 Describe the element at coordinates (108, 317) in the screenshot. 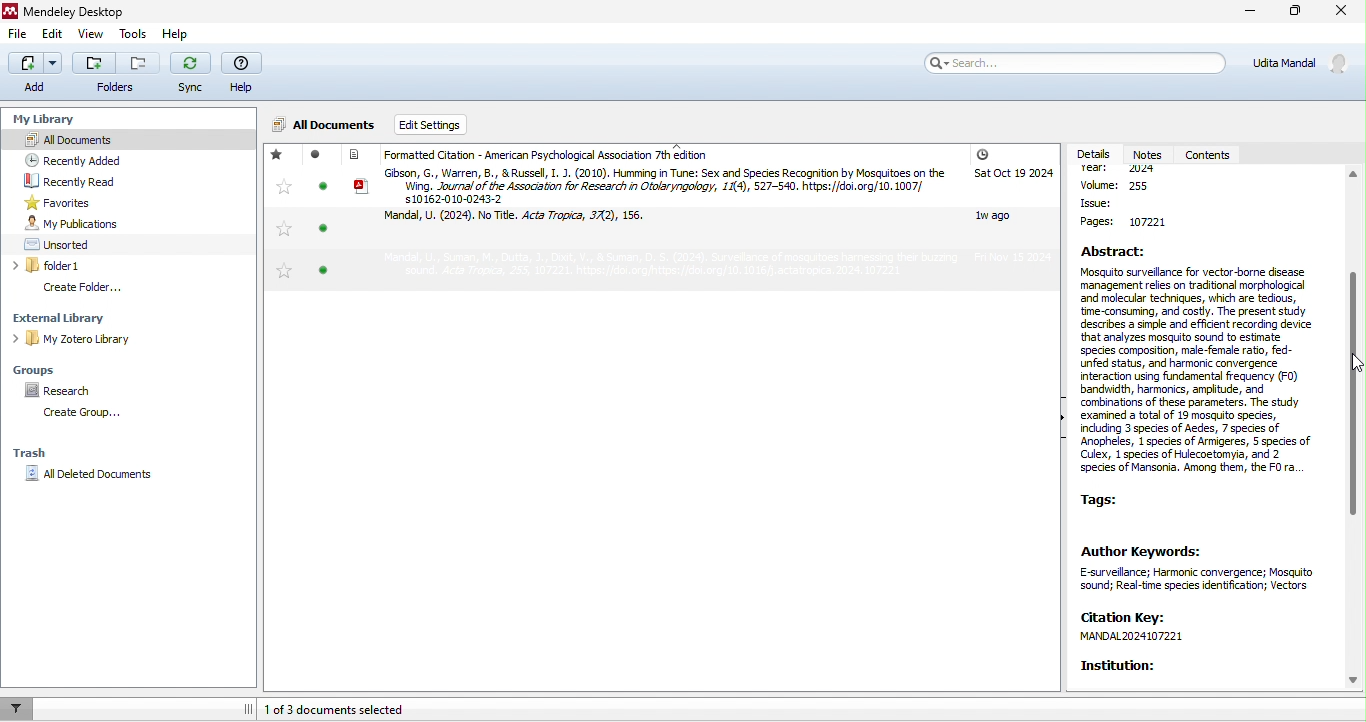

I see `external library` at that location.